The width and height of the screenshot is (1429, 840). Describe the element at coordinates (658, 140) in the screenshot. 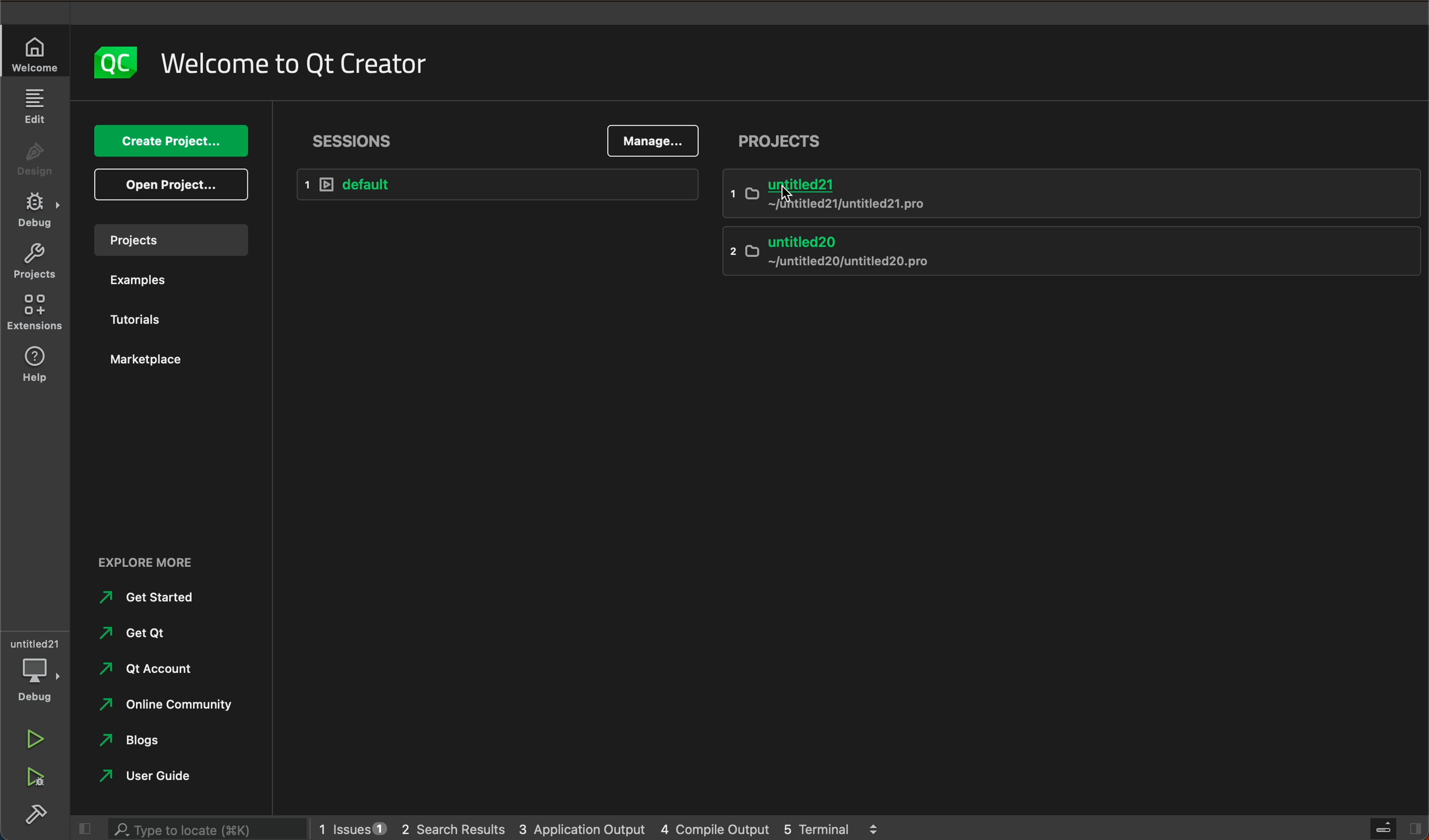

I see `manage` at that location.